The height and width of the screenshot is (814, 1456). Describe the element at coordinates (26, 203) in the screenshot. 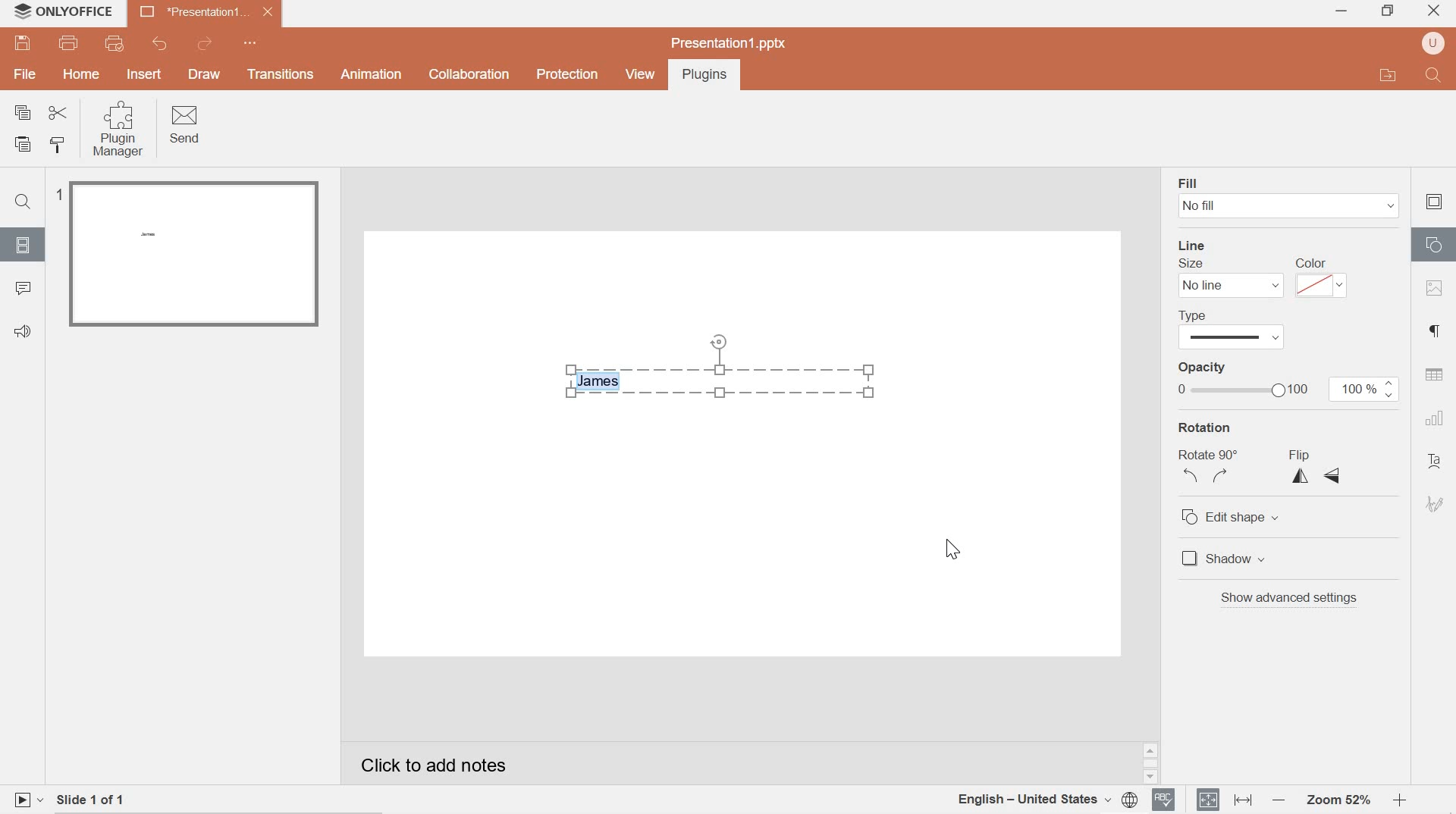

I see `Find` at that location.